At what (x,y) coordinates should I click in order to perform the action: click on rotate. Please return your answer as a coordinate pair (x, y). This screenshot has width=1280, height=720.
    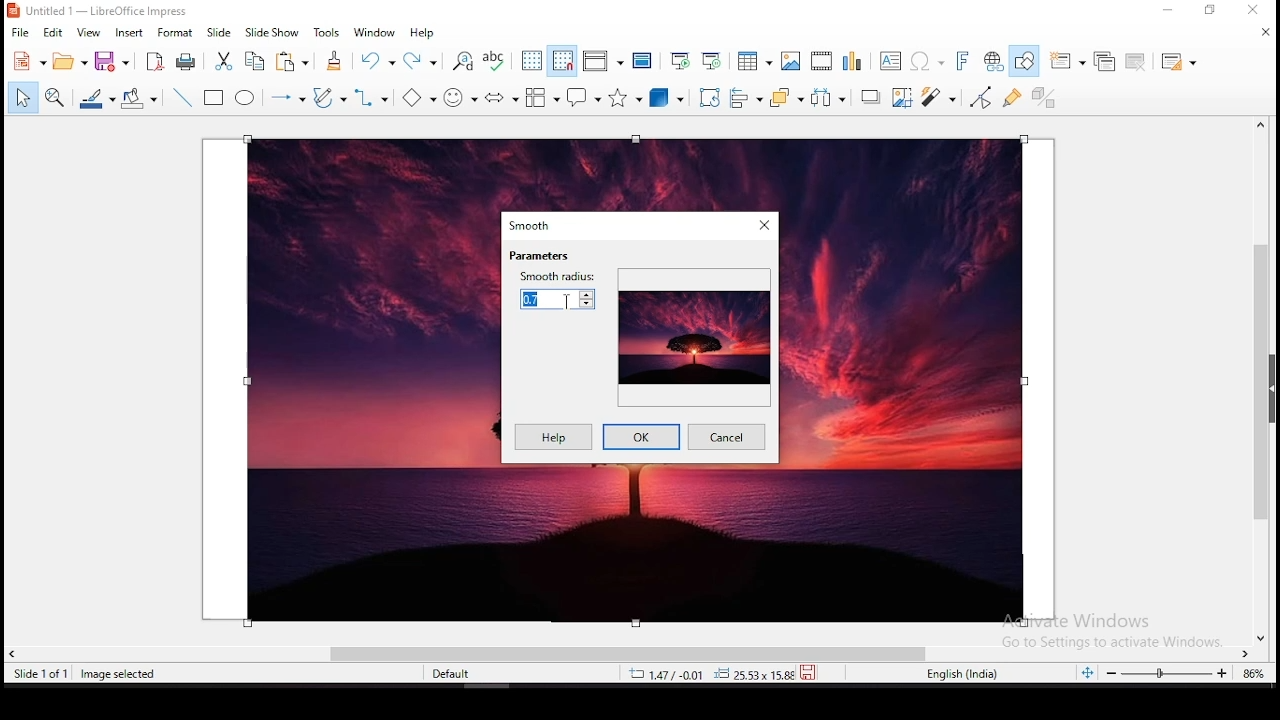
    Looking at the image, I should click on (707, 99).